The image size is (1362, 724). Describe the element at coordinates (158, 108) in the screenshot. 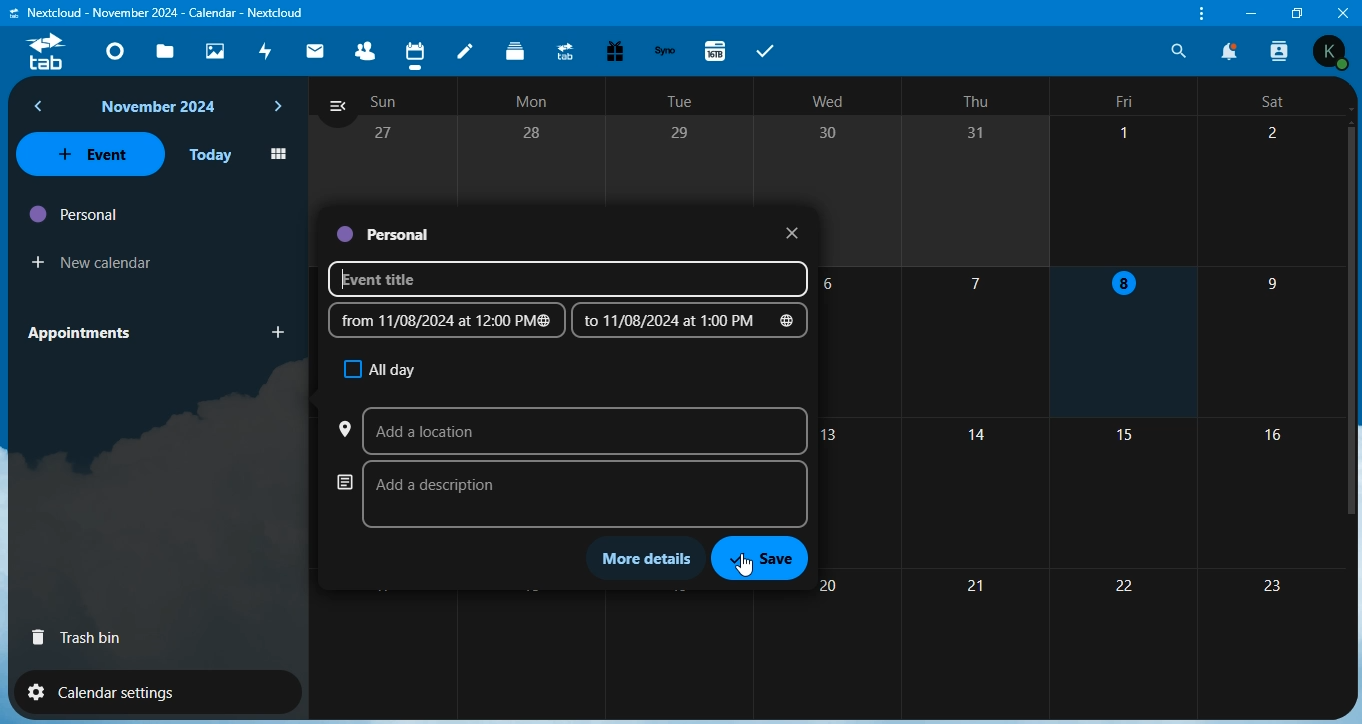

I see `text` at that location.